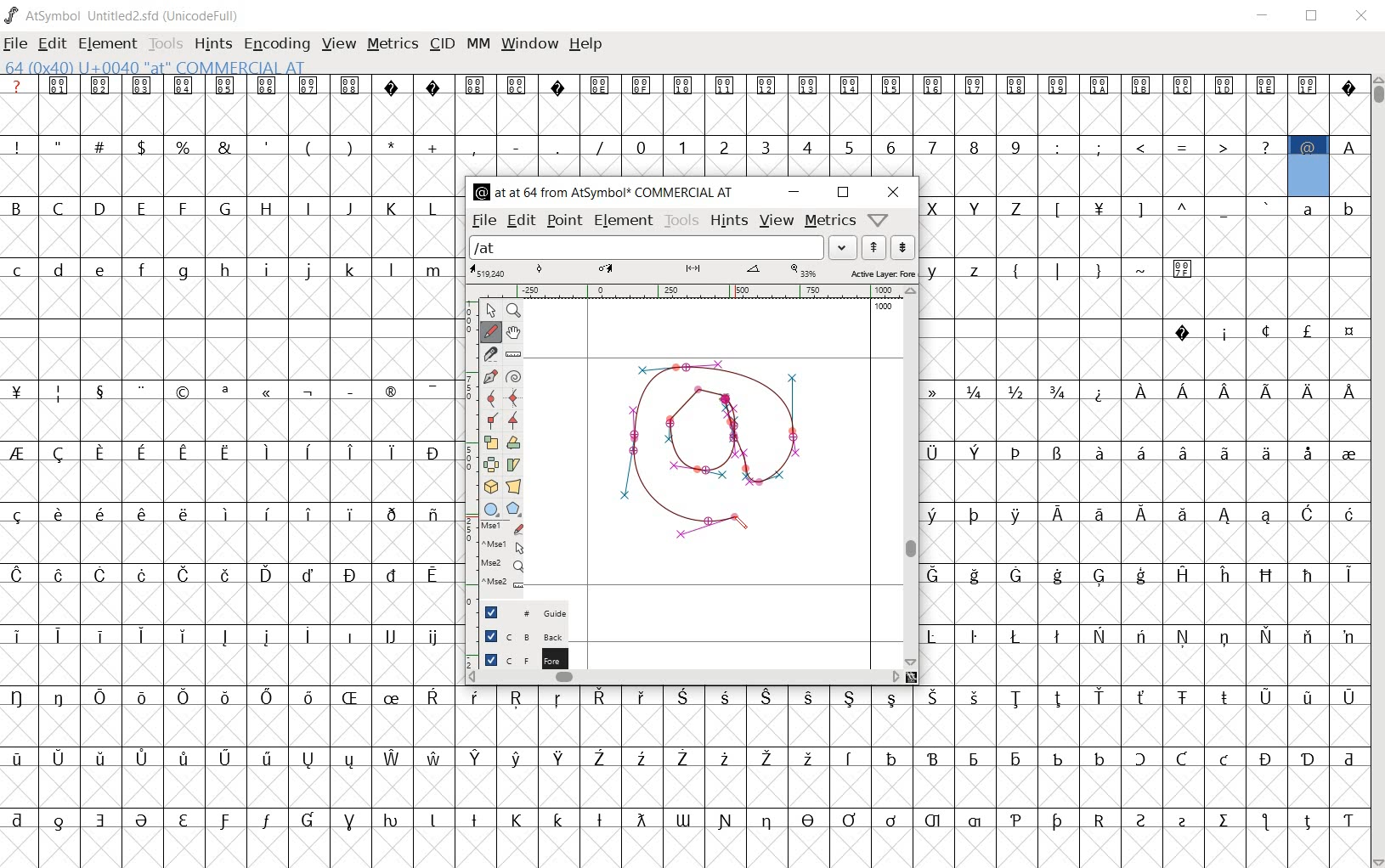 This screenshot has width=1385, height=868. Describe the element at coordinates (228, 470) in the screenshot. I see `glyph` at that location.